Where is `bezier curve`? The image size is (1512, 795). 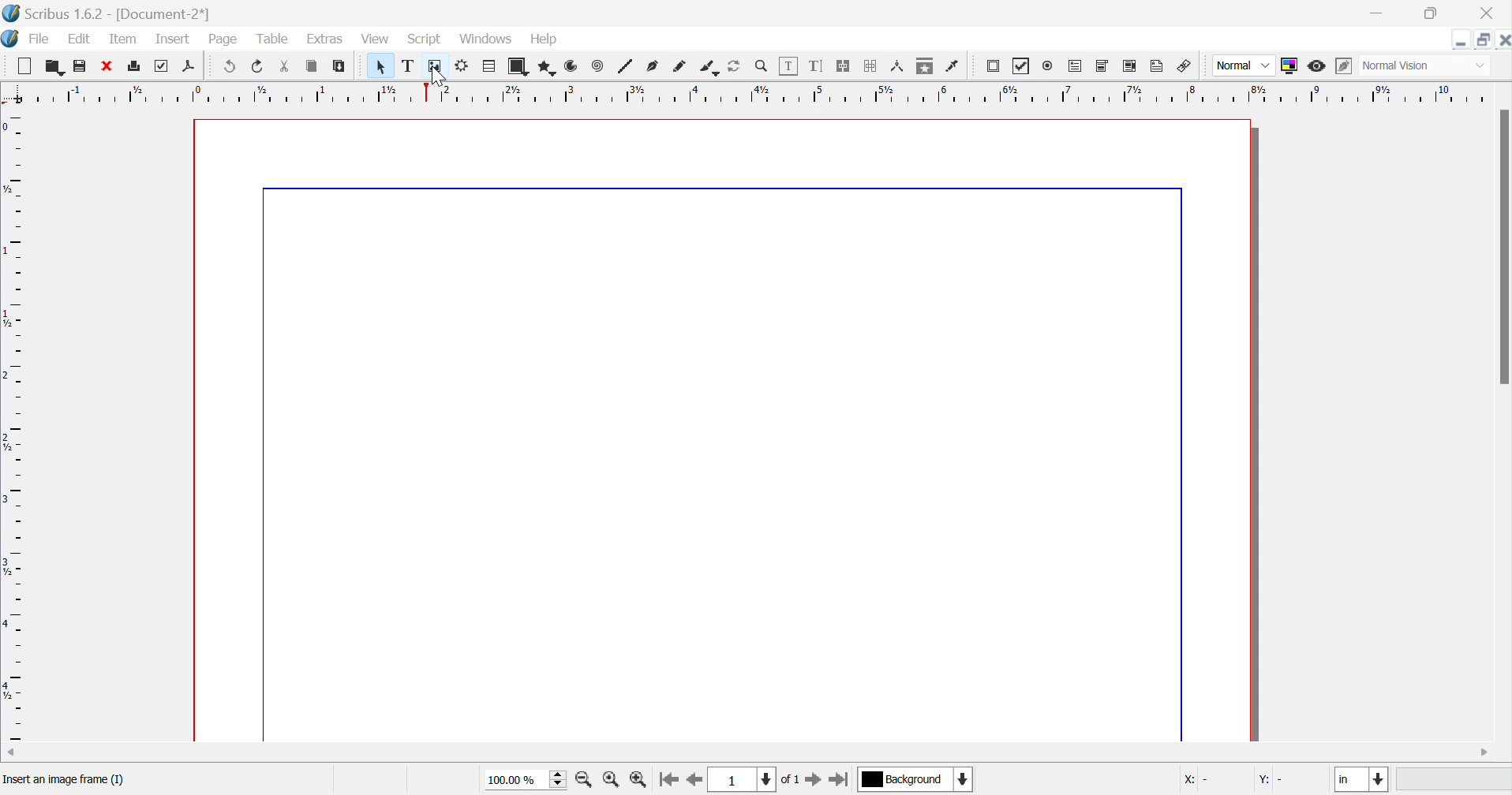 bezier curve is located at coordinates (653, 65).